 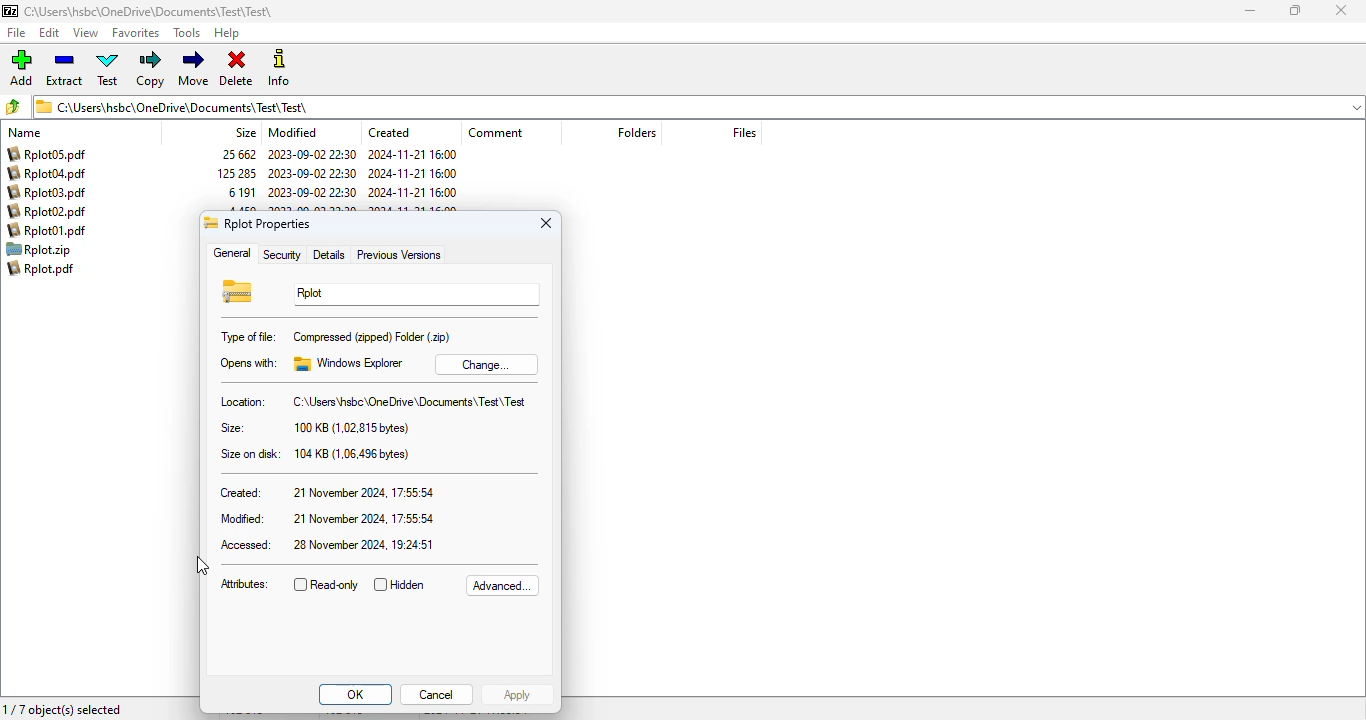 I want to click on read-only, so click(x=326, y=585).